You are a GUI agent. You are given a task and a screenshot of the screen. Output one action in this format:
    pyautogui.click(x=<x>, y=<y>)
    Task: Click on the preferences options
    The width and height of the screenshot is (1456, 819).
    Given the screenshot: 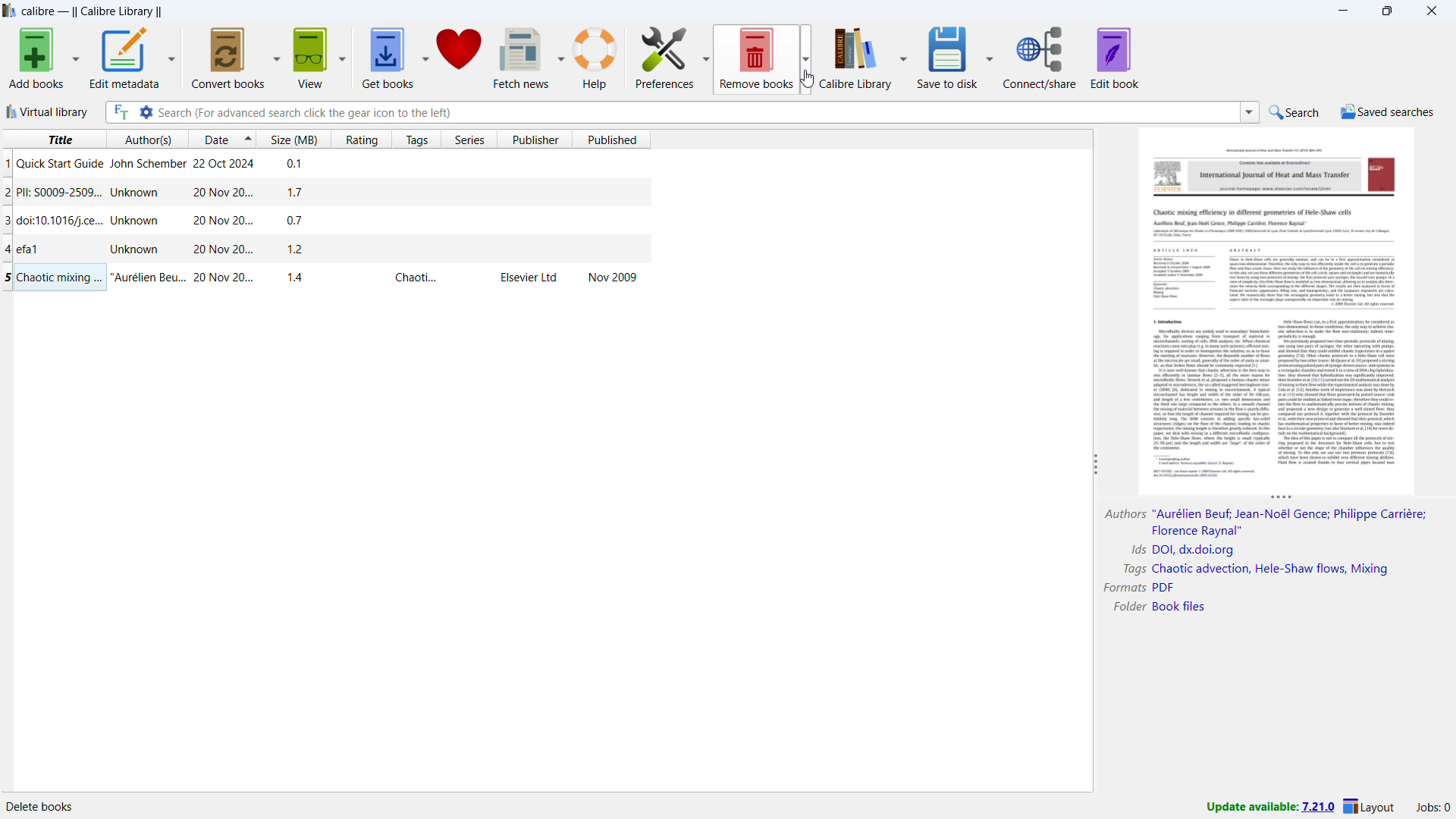 What is the action you would take?
    pyautogui.click(x=706, y=58)
    